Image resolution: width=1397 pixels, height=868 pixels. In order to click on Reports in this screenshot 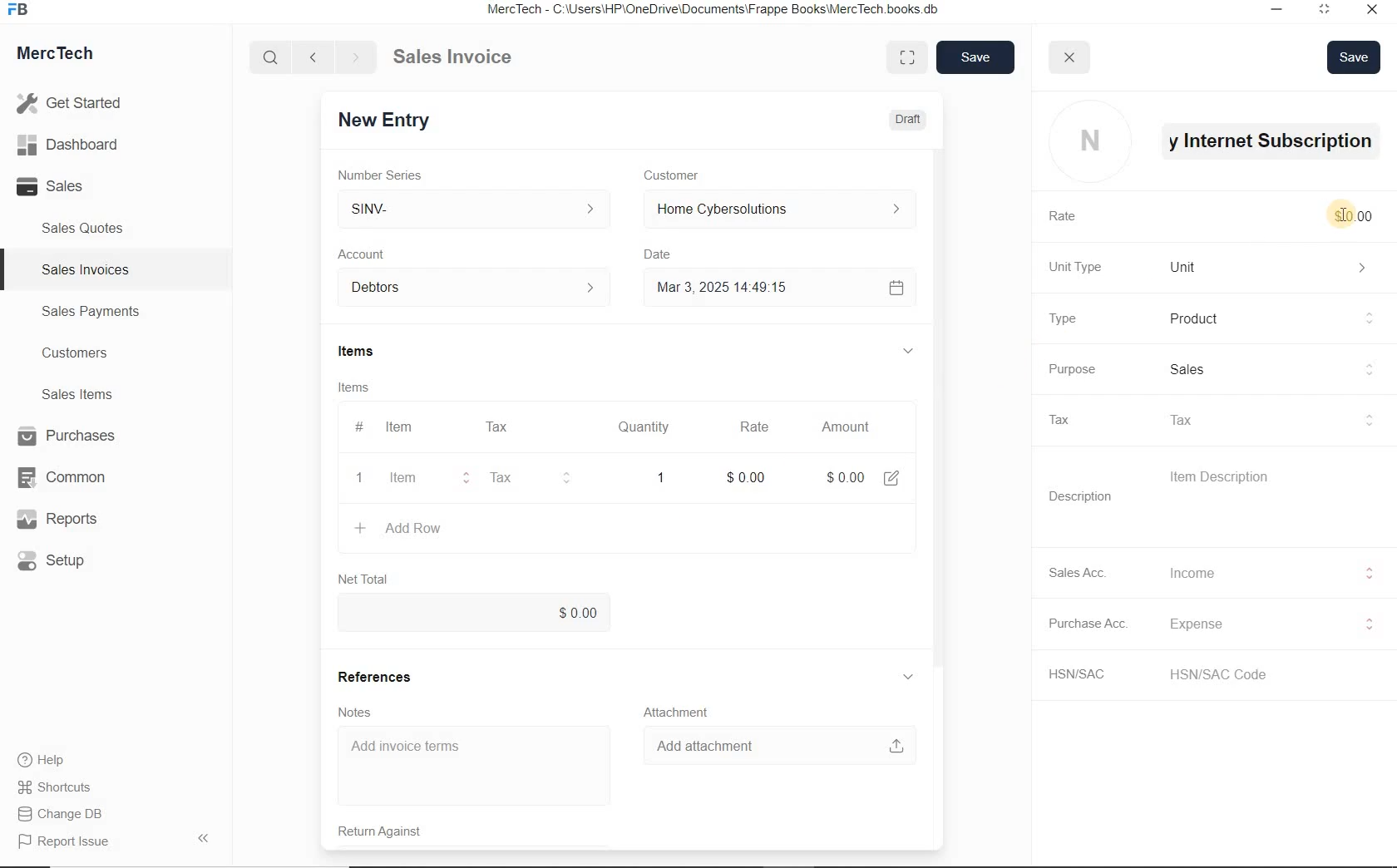, I will do `click(70, 520)`.